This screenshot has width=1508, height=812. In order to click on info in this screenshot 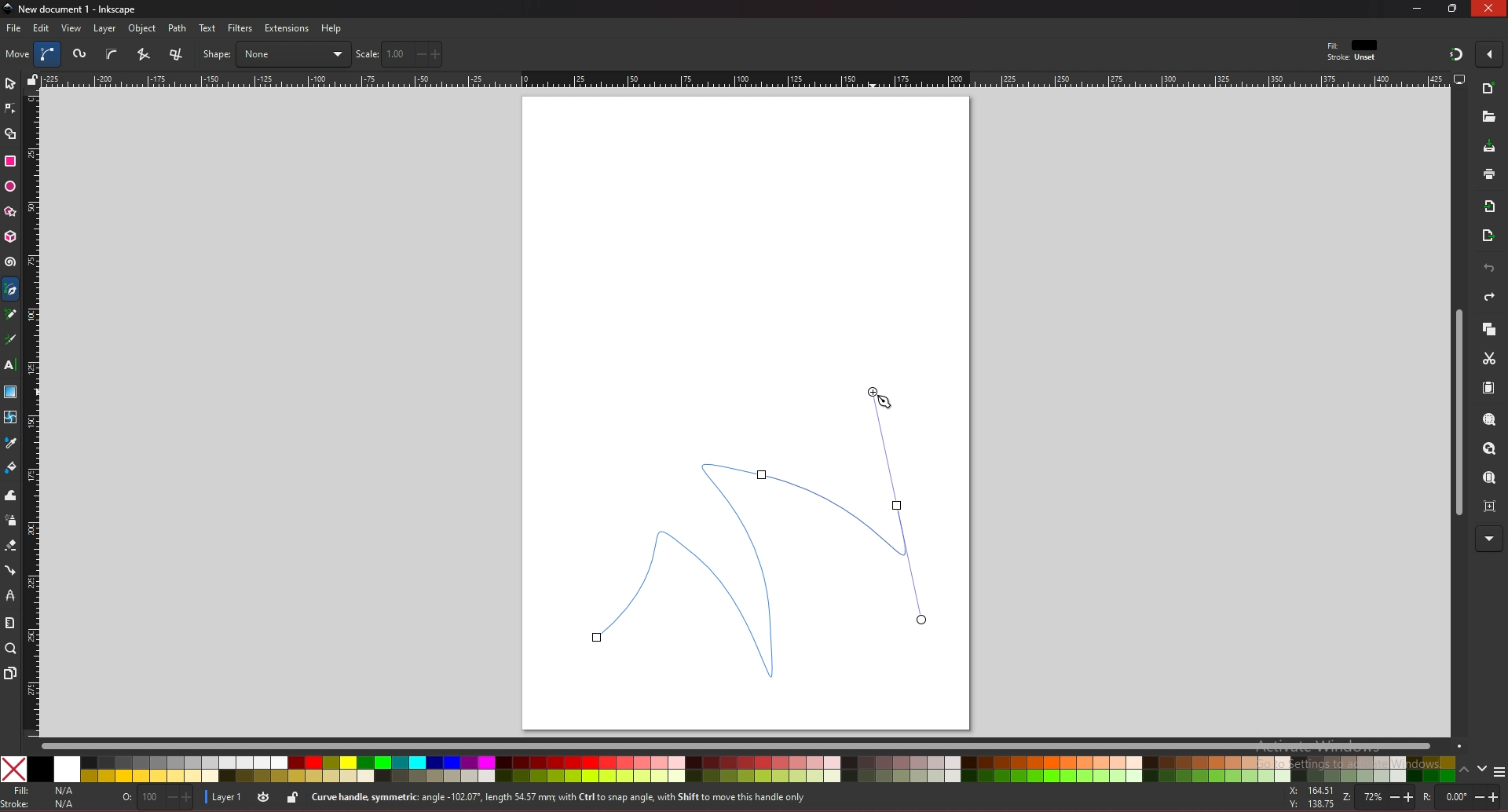, I will do `click(588, 798)`.